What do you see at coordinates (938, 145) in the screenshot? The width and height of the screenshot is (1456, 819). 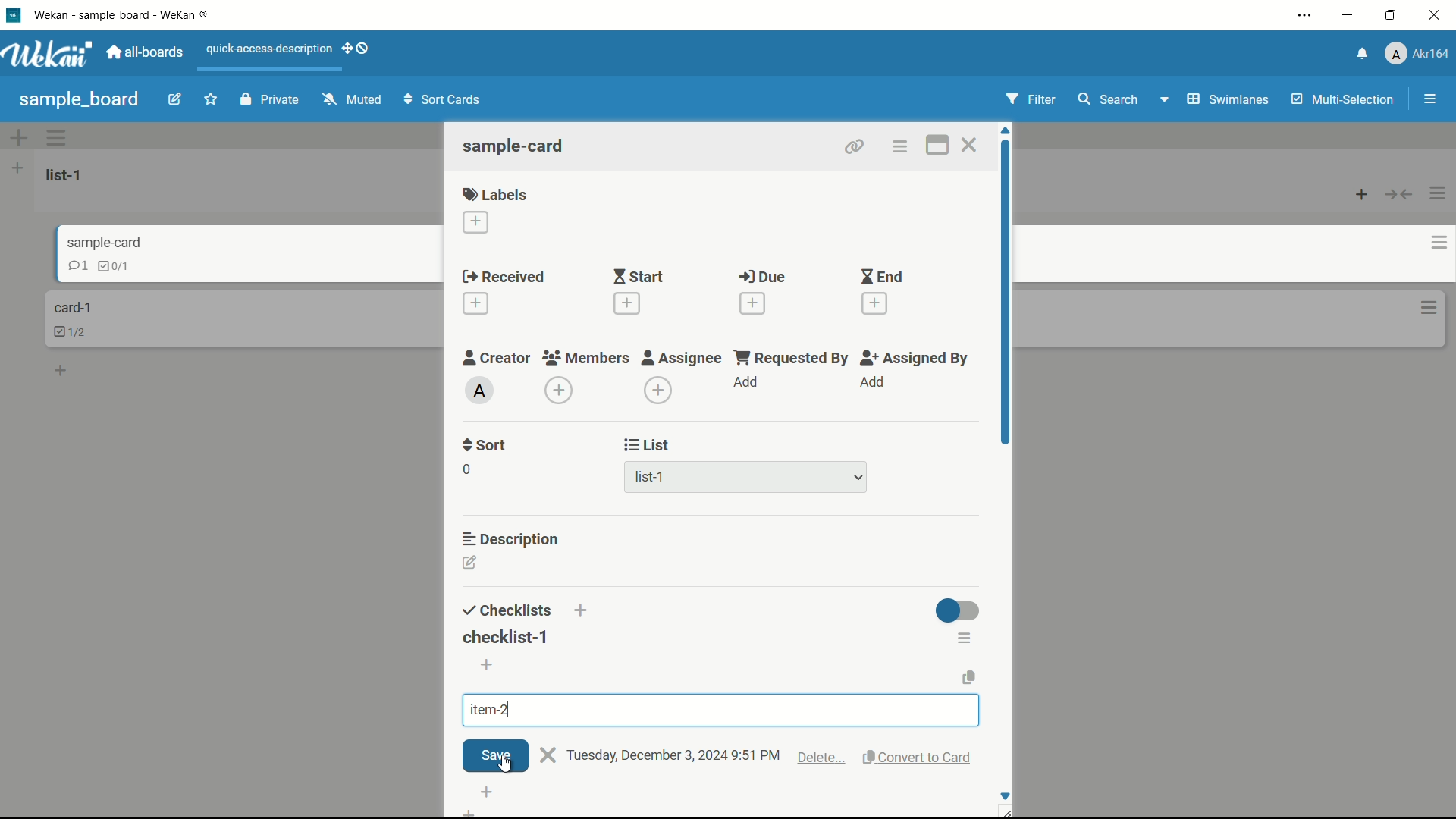 I see `maximize card` at bounding box center [938, 145].